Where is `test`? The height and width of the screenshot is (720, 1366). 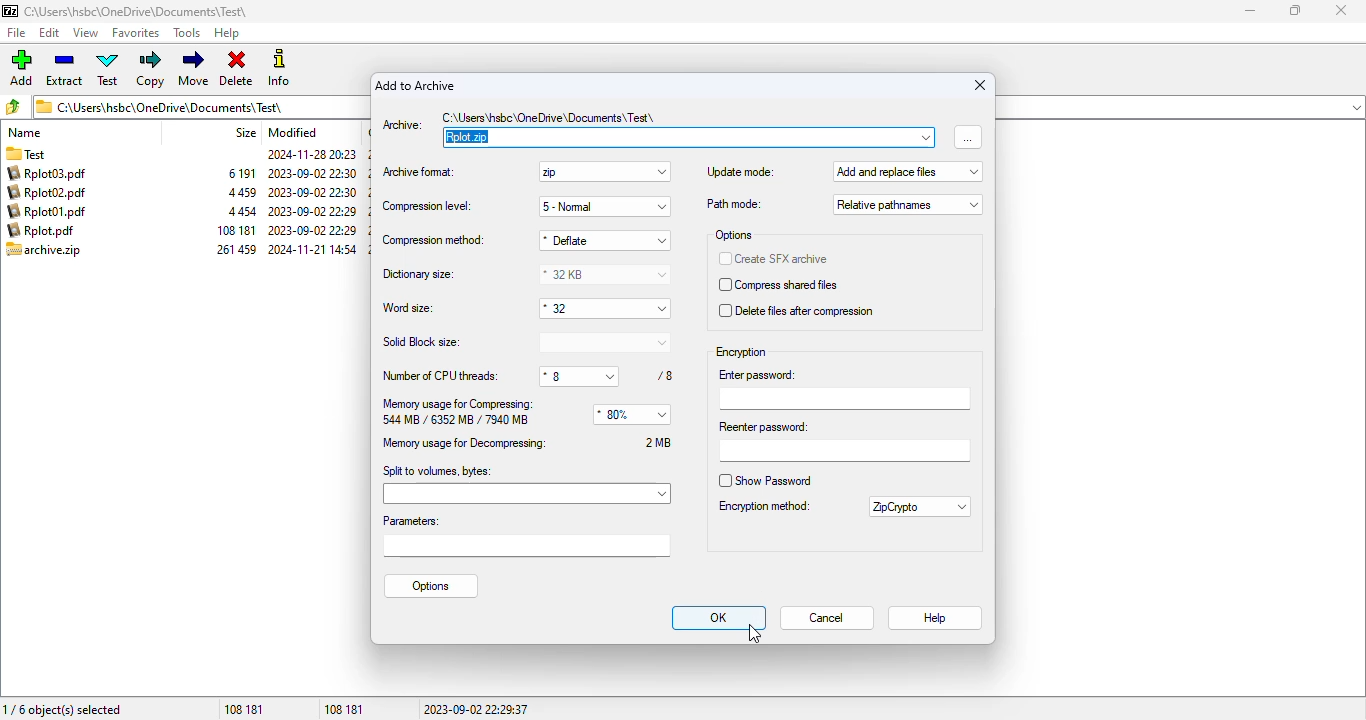 test is located at coordinates (109, 69).